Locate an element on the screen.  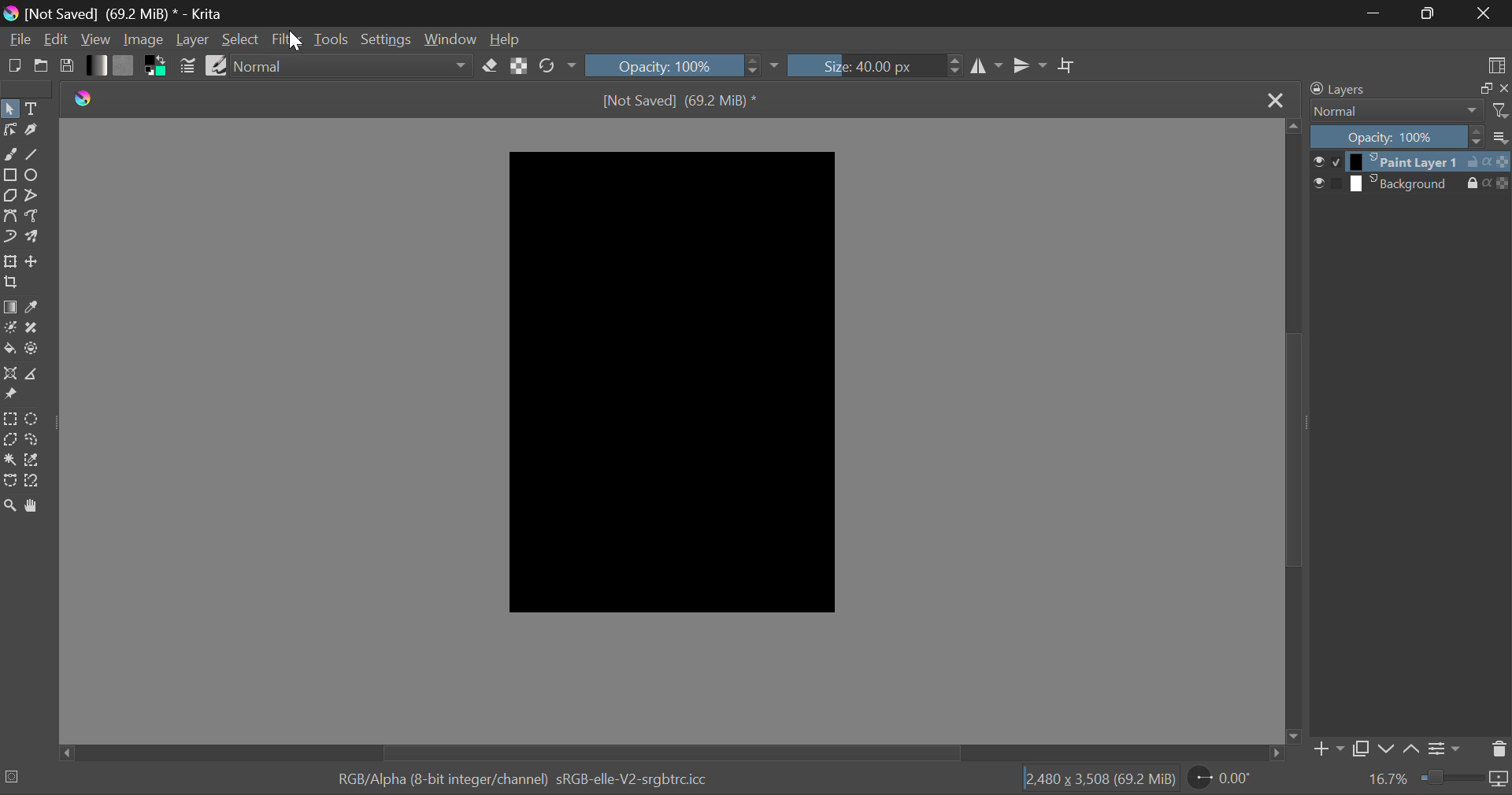
[not saved] (69.2 mib)* is located at coordinates (684, 99).